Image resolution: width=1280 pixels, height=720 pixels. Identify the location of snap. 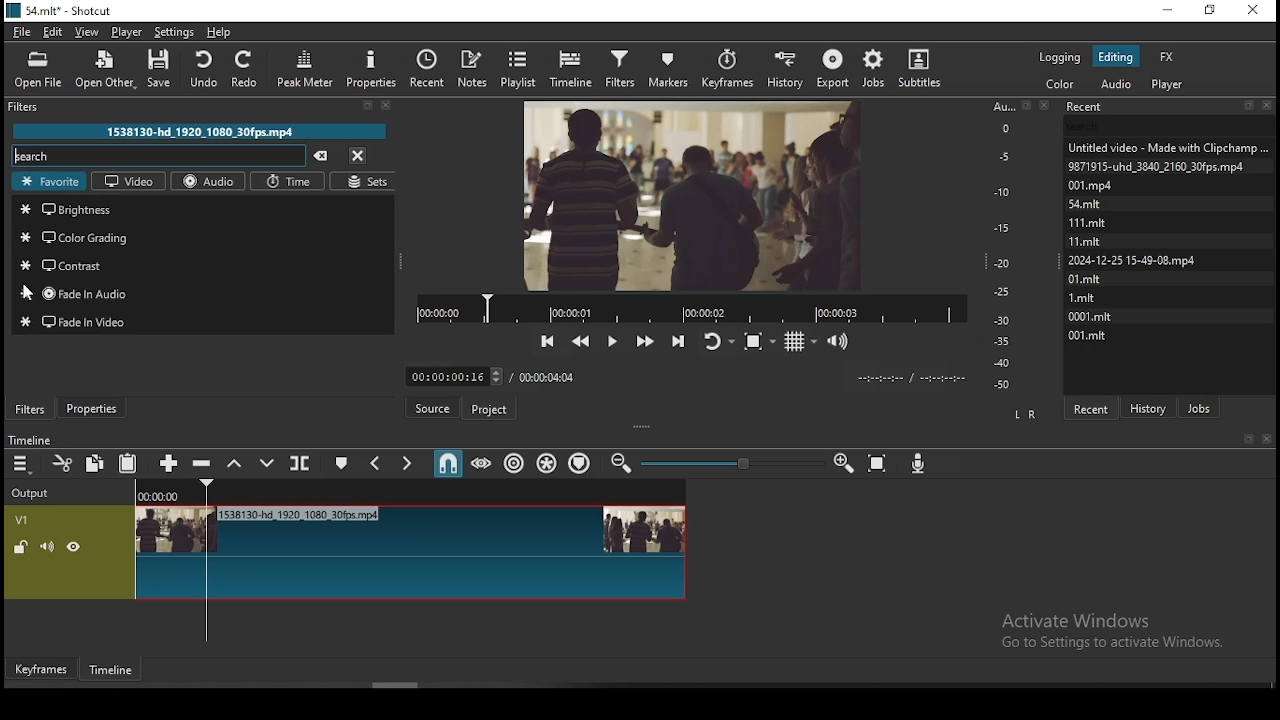
(447, 464).